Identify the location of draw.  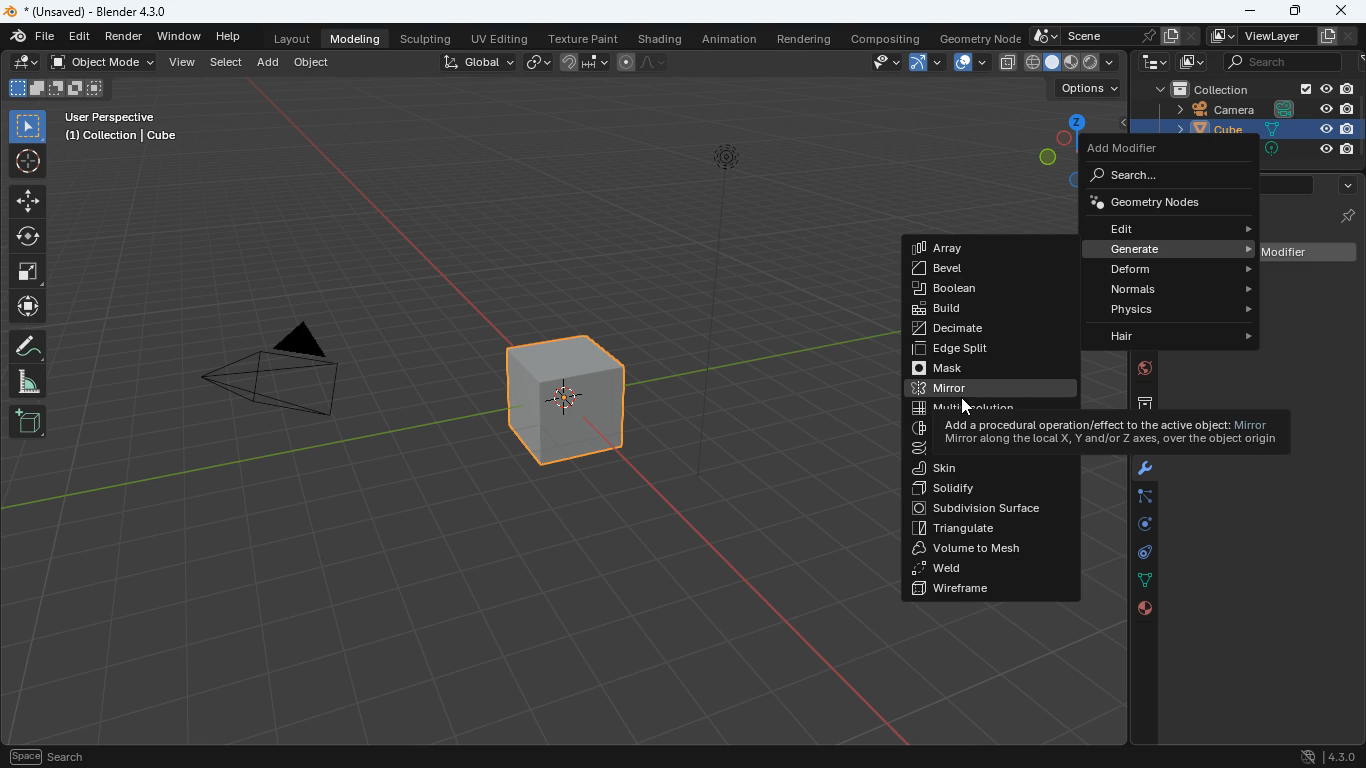
(25, 347).